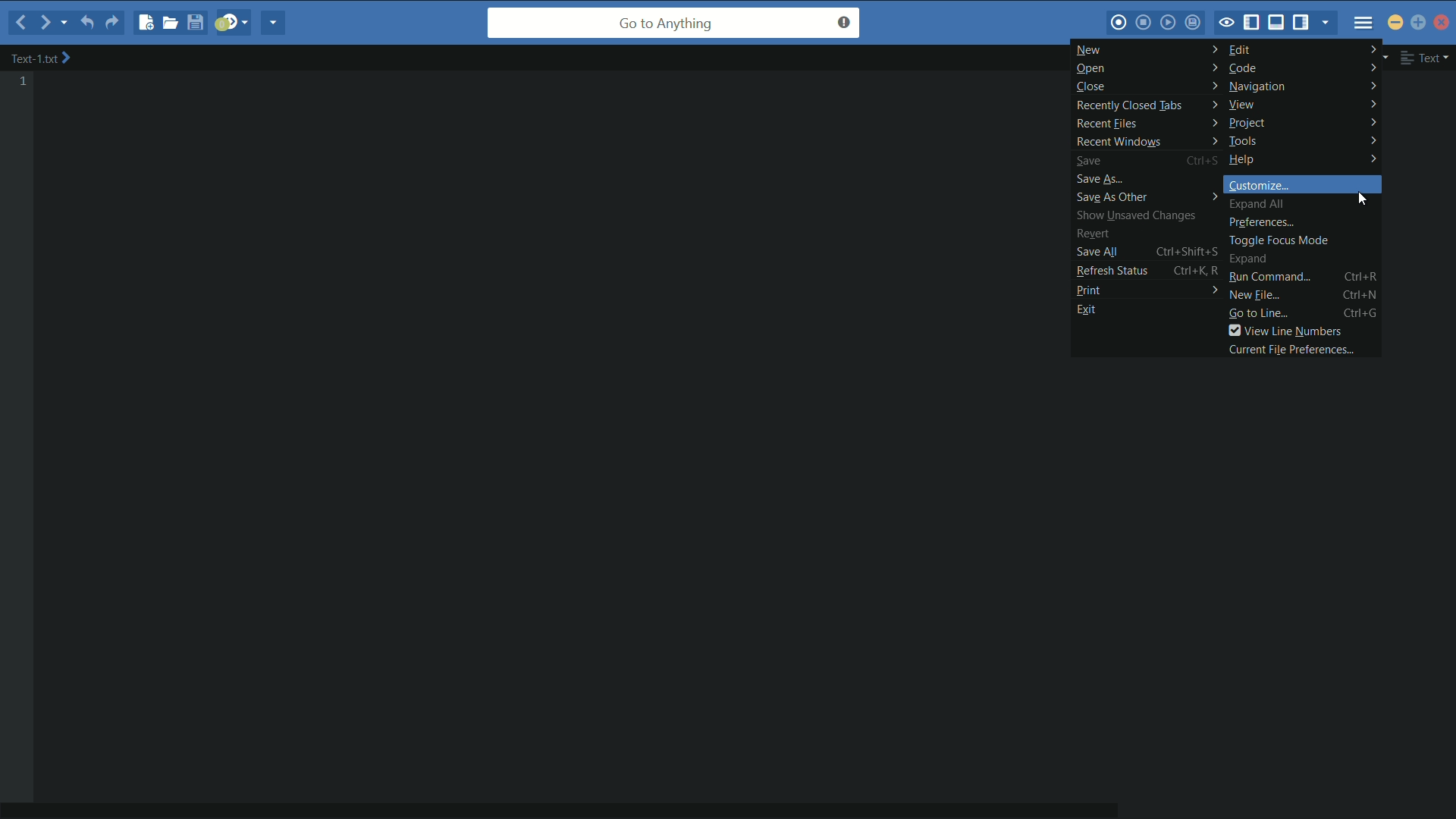 The width and height of the screenshot is (1456, 819). What do you see at coordinates (145, 22) in the screenshot?
I see `new file` at bounding box center [145, 22].